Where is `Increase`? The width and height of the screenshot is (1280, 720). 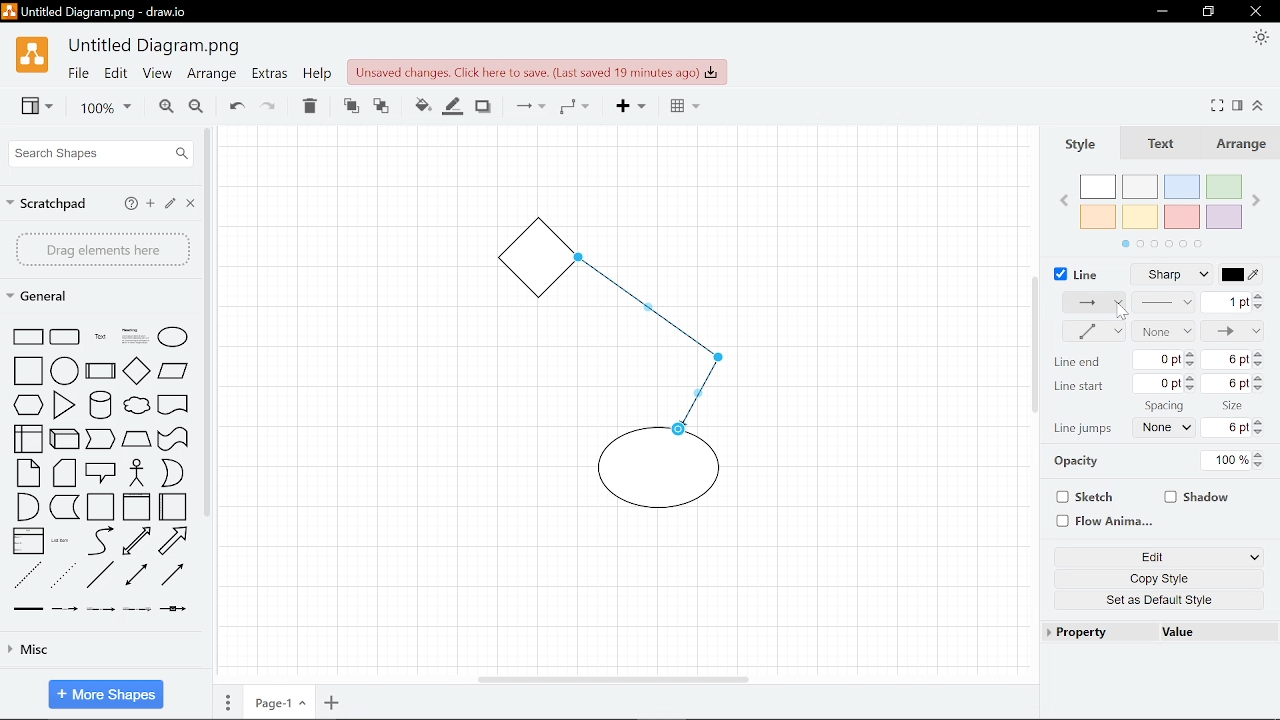 Increase is located at coordinates (1192, 379).